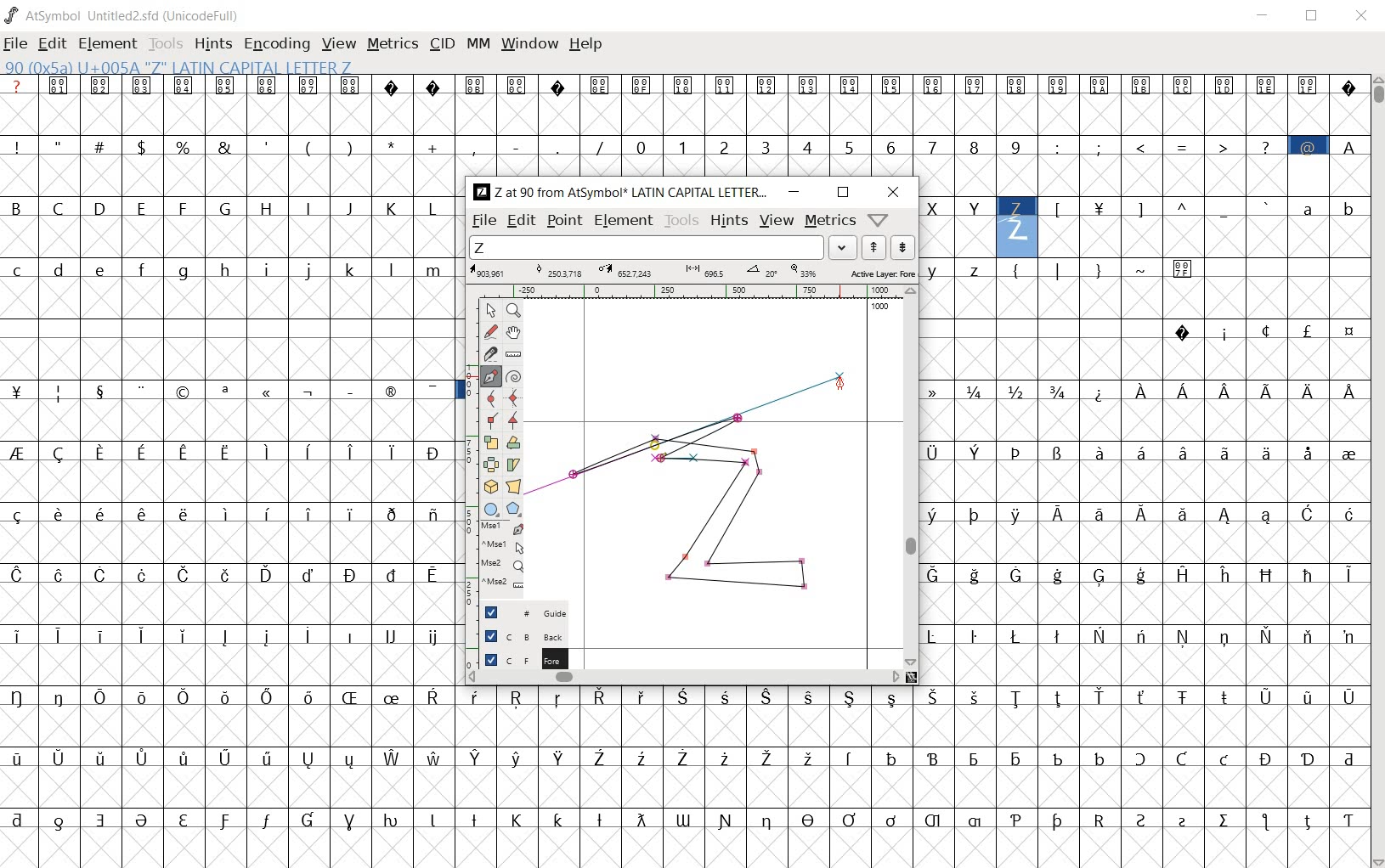  Describe the element at coordinates (490, 465) in the screenshot. I see `flip the selection` at that location.